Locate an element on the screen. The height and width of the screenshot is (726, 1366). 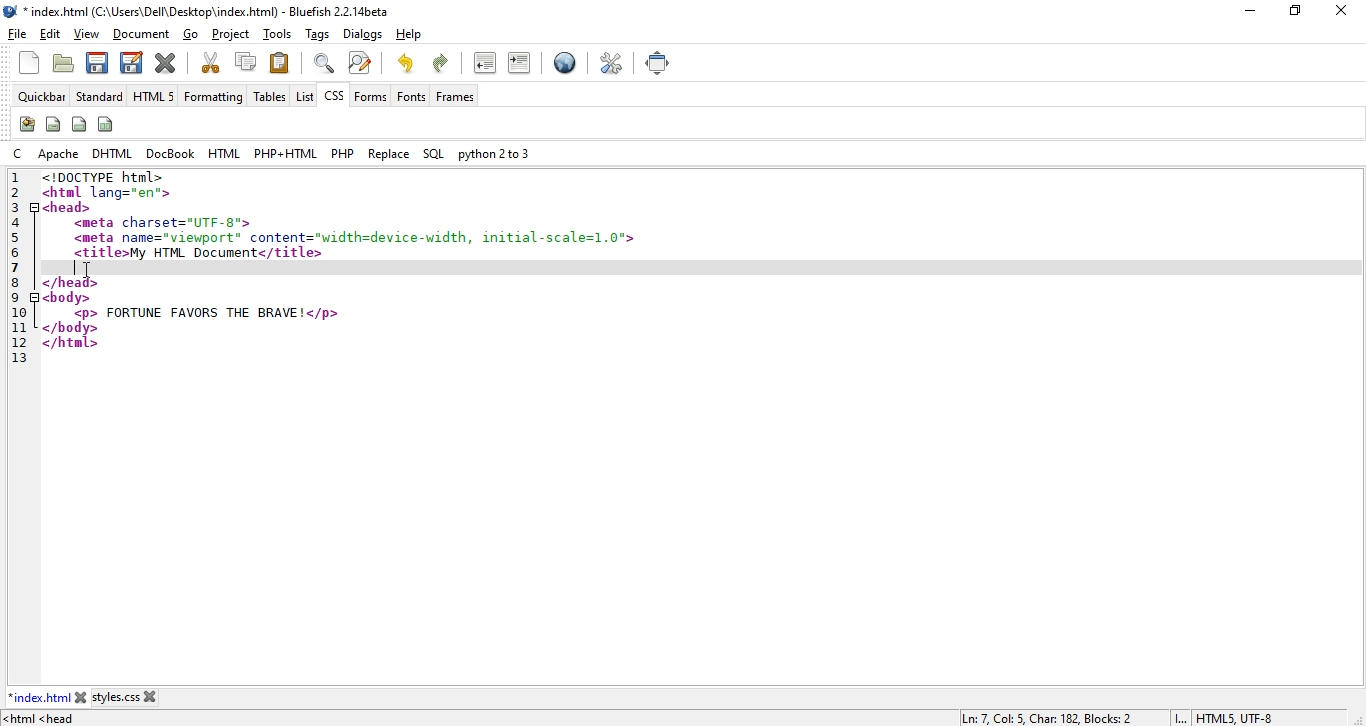
*index.htm!| is located at coordinates (40, 697).